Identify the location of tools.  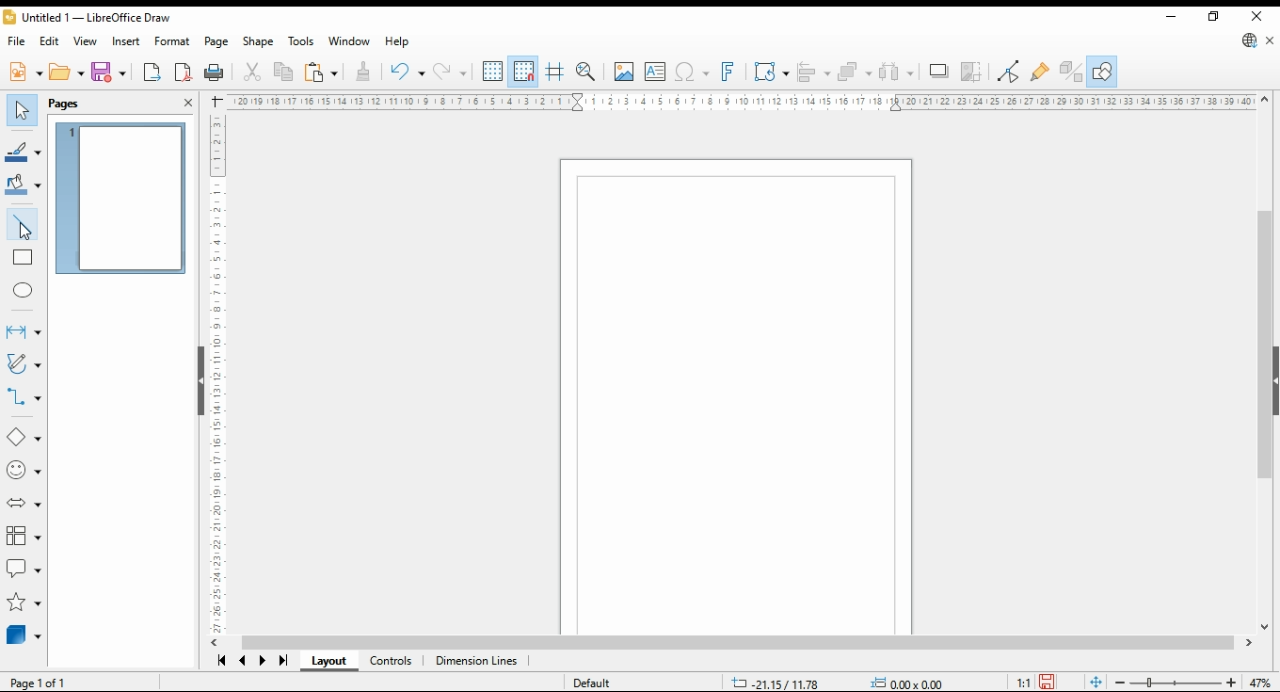
(301, 40).